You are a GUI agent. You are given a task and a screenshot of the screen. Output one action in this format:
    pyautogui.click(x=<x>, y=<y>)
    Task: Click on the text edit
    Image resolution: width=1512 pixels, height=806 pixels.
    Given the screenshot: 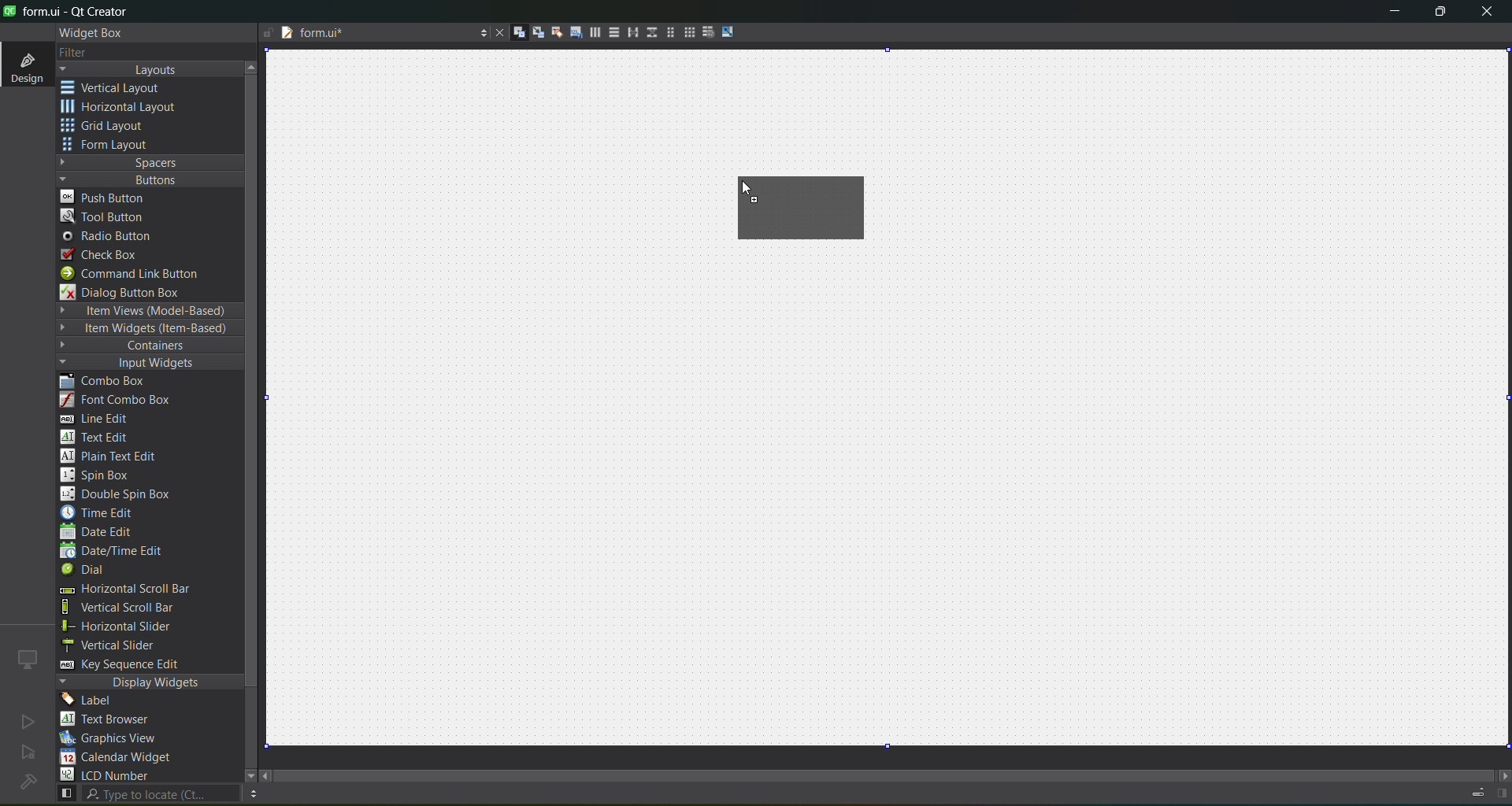 What is the action you would take?
    pyautogui.click(x=99, y=436)
    